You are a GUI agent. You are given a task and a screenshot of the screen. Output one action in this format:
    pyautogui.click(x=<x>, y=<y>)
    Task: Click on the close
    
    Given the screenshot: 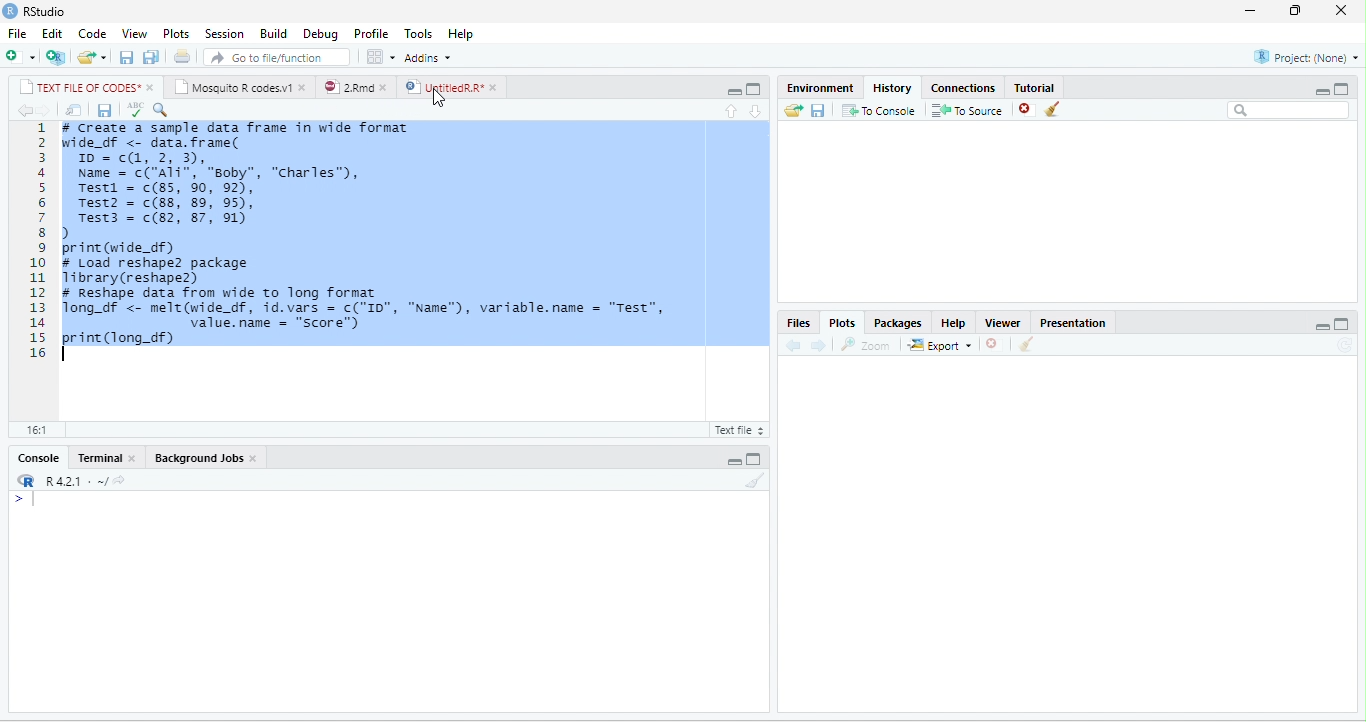 What is the action you would take?
    pyautogui.click(x=304, y=86)
    